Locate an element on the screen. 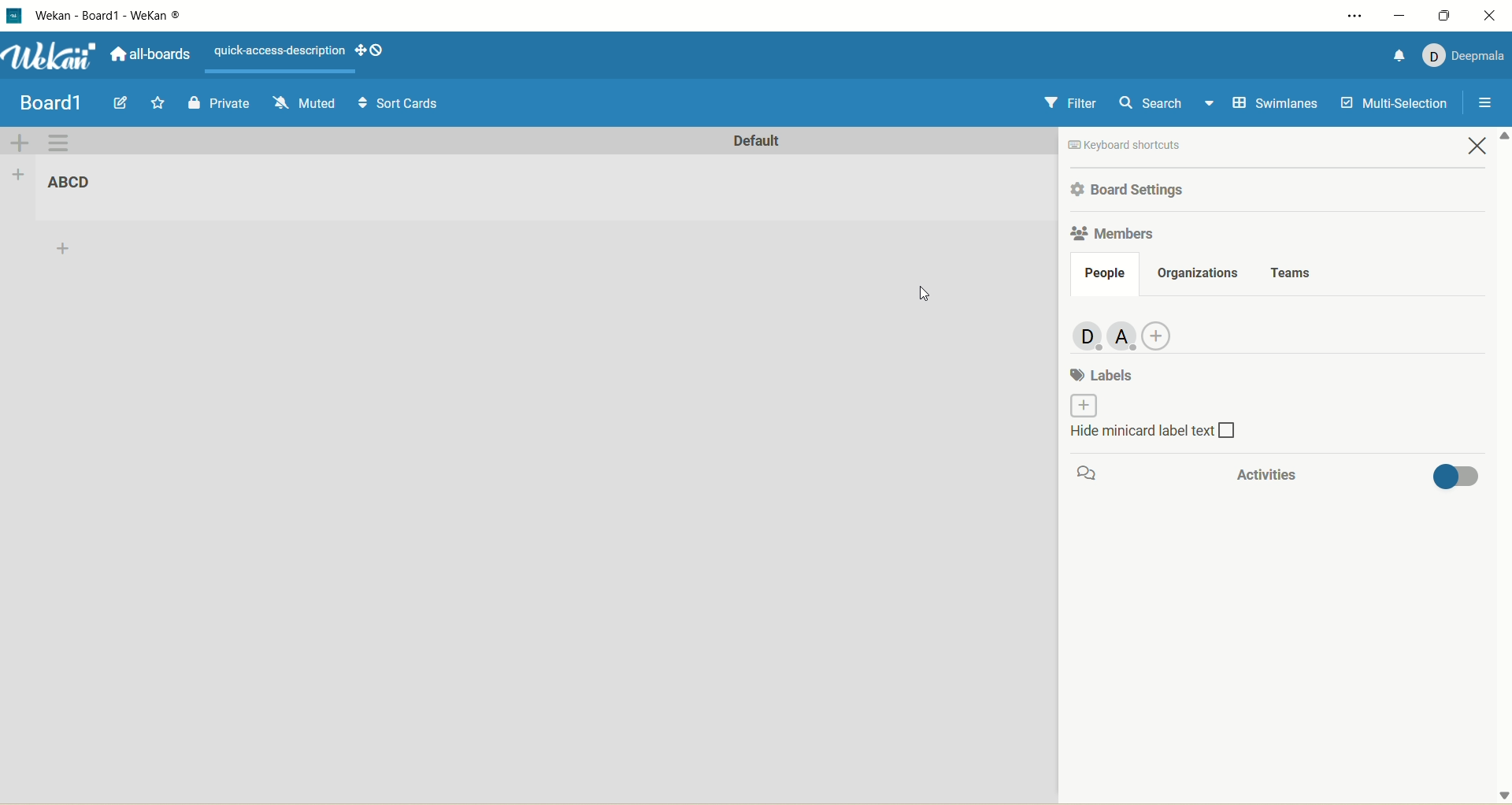 This screenshot has height=805, width=1512. add is located at coordinates (65, 251).